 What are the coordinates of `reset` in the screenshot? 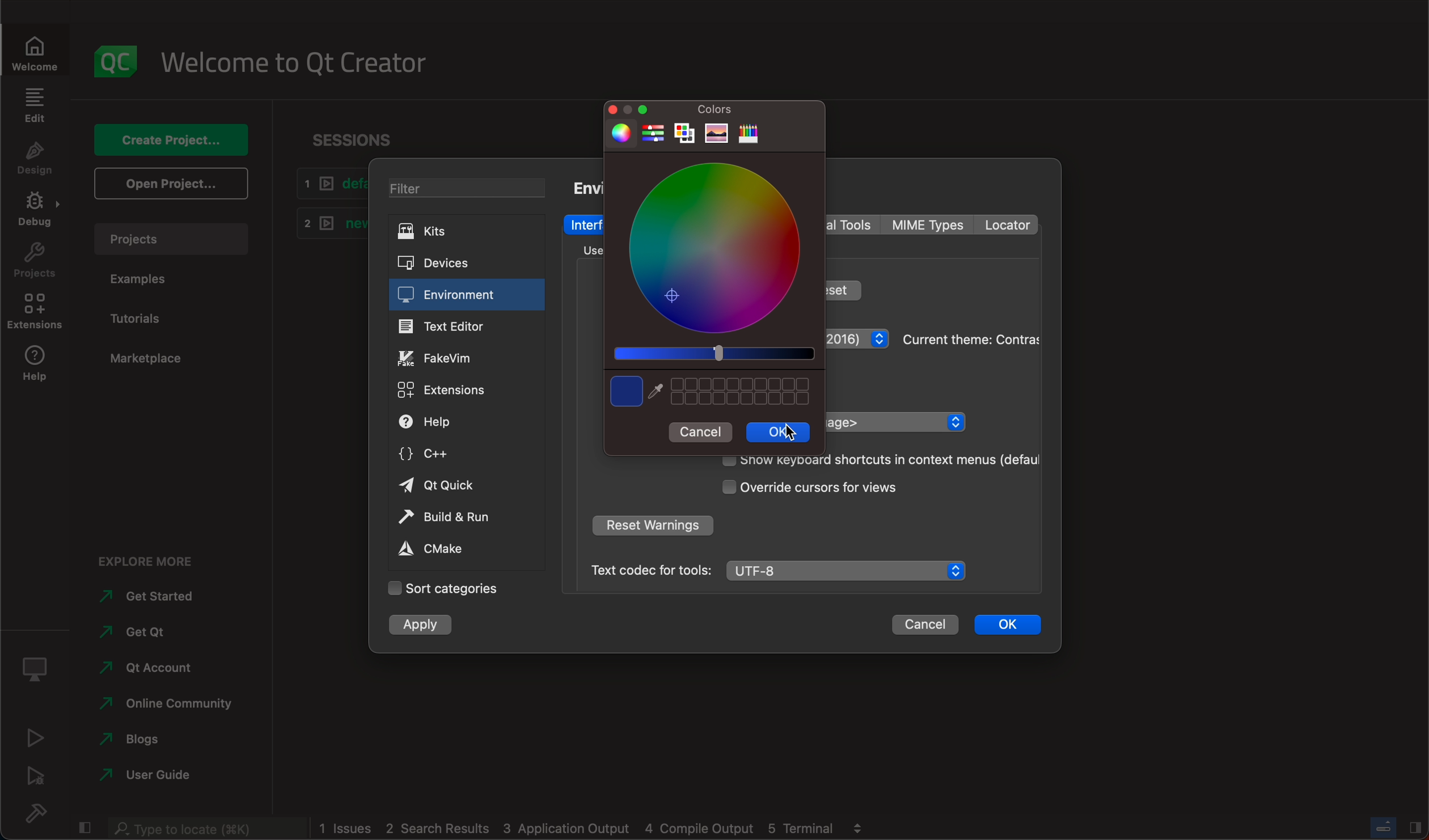 It's located at (844, 289).